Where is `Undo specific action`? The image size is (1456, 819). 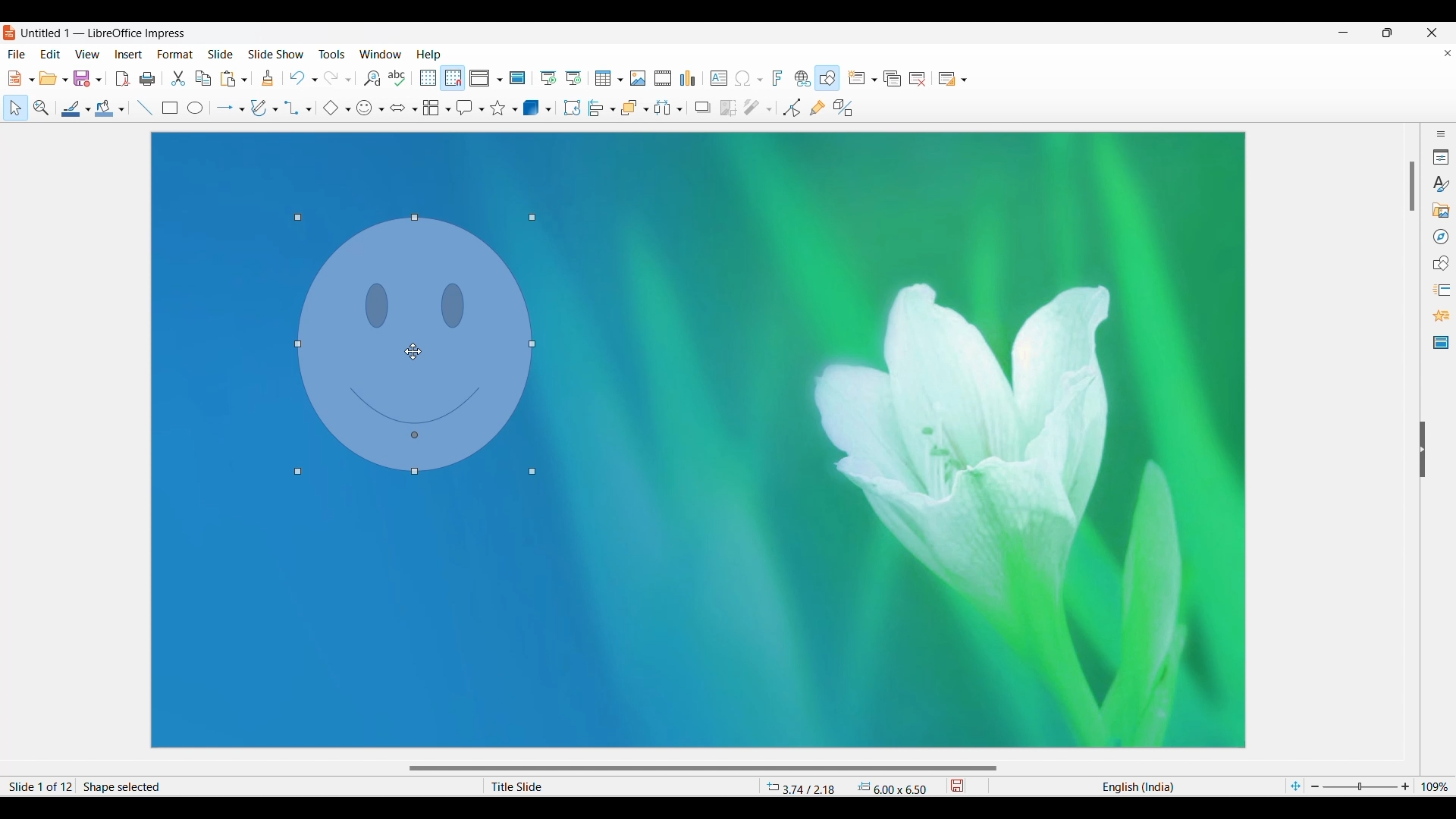
Undo specific action is located at coordinates (315, 80).